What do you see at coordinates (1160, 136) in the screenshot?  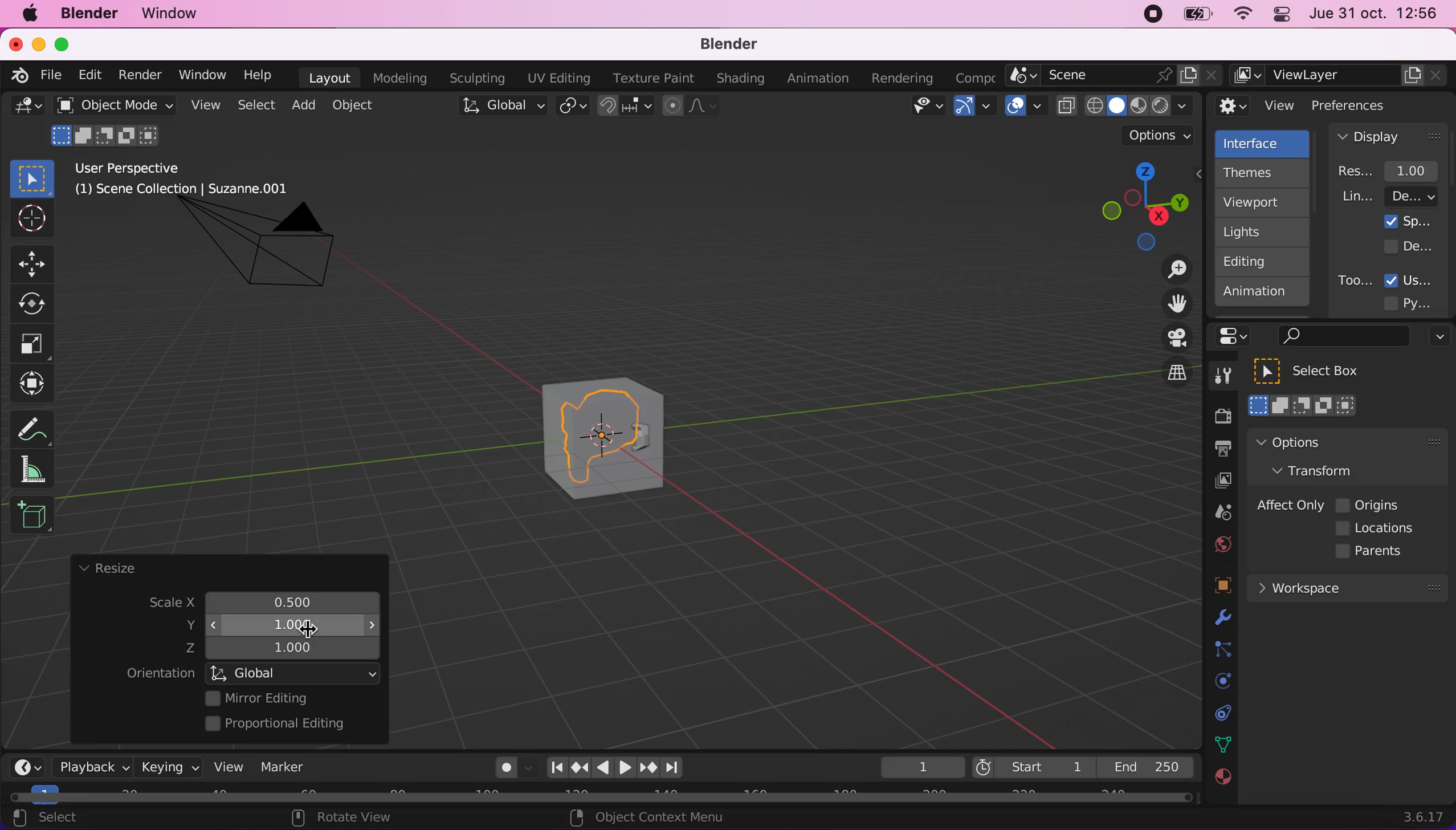 I see `options` at bounding box center [1160, 136].